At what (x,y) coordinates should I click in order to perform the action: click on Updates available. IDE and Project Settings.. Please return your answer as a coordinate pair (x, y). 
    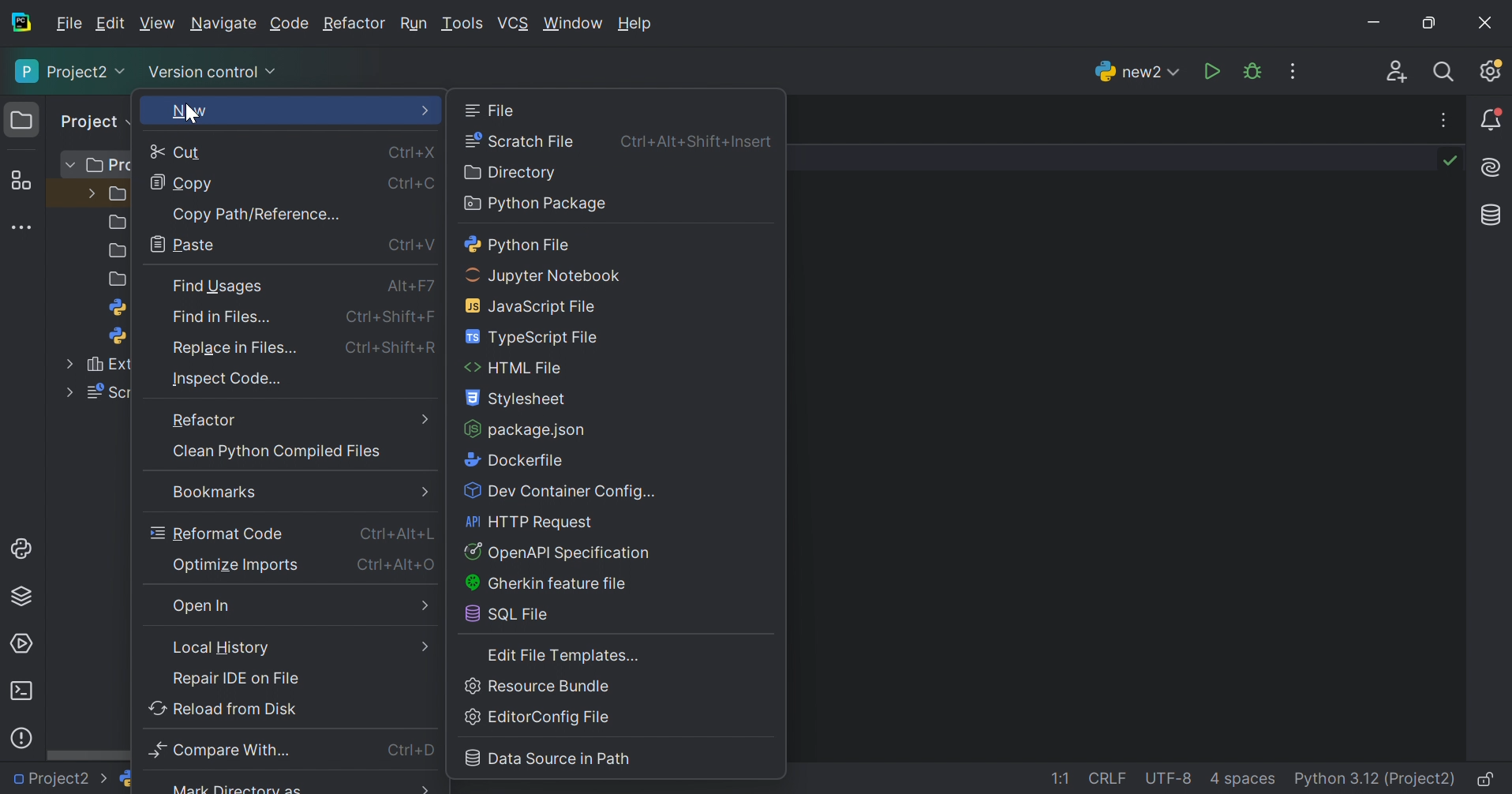
    Looking at the image, I should click on (1493, 73).